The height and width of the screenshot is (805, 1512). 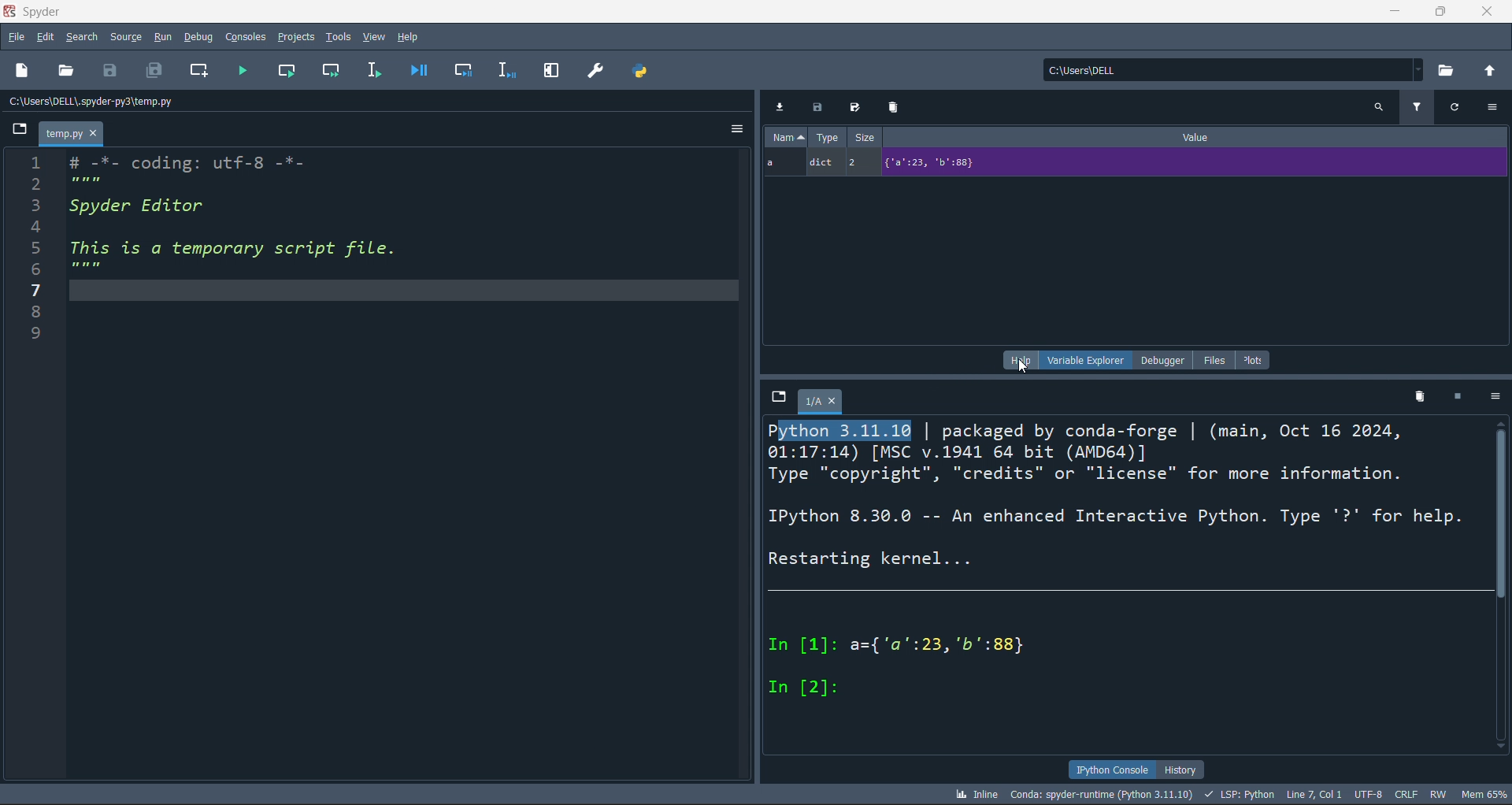 What do you see at coordinates (241, 36) in the screenshot?
I see `console` at bounding box center [241, 36].